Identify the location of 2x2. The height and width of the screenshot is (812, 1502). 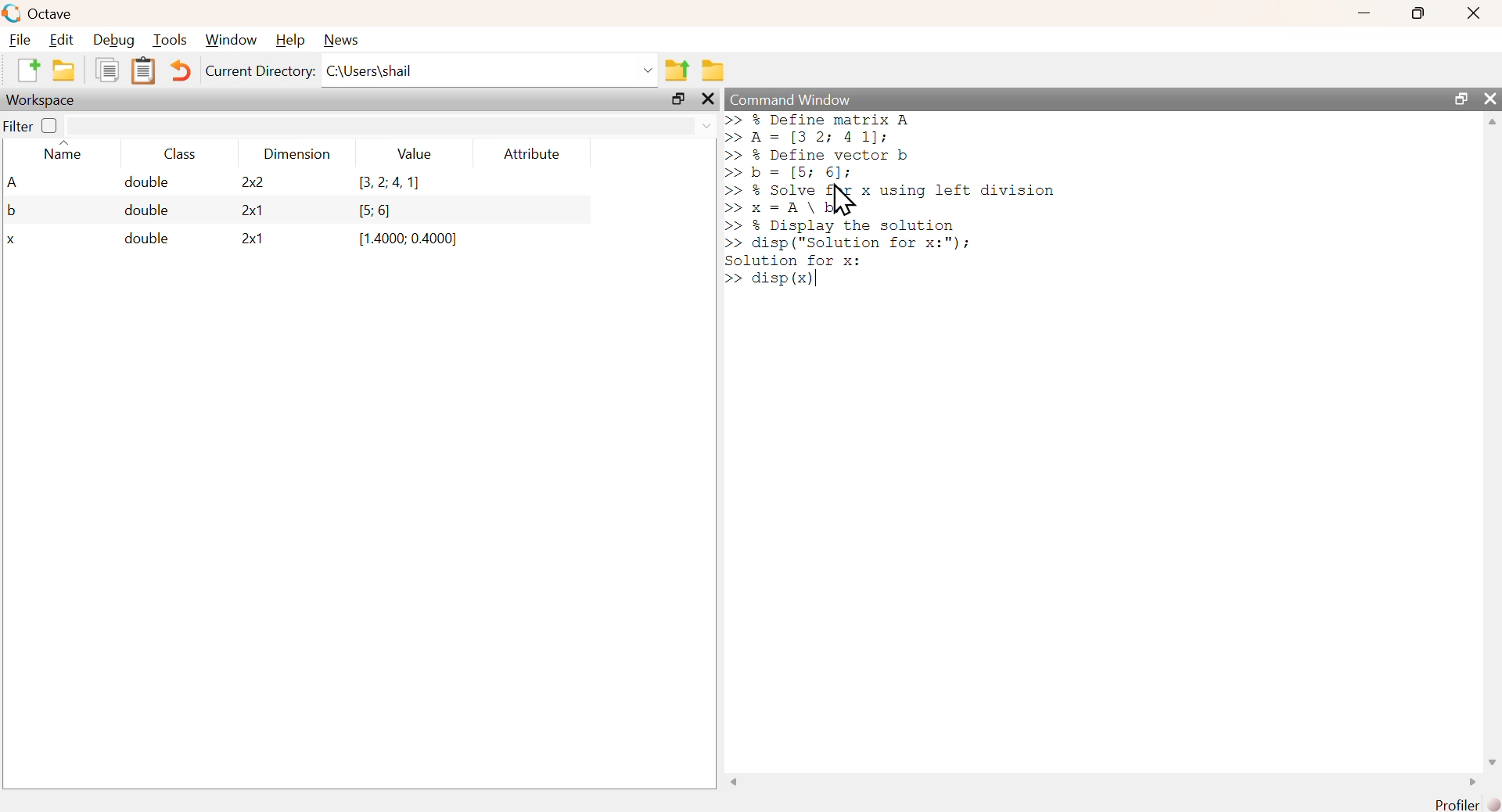
(243, 183).